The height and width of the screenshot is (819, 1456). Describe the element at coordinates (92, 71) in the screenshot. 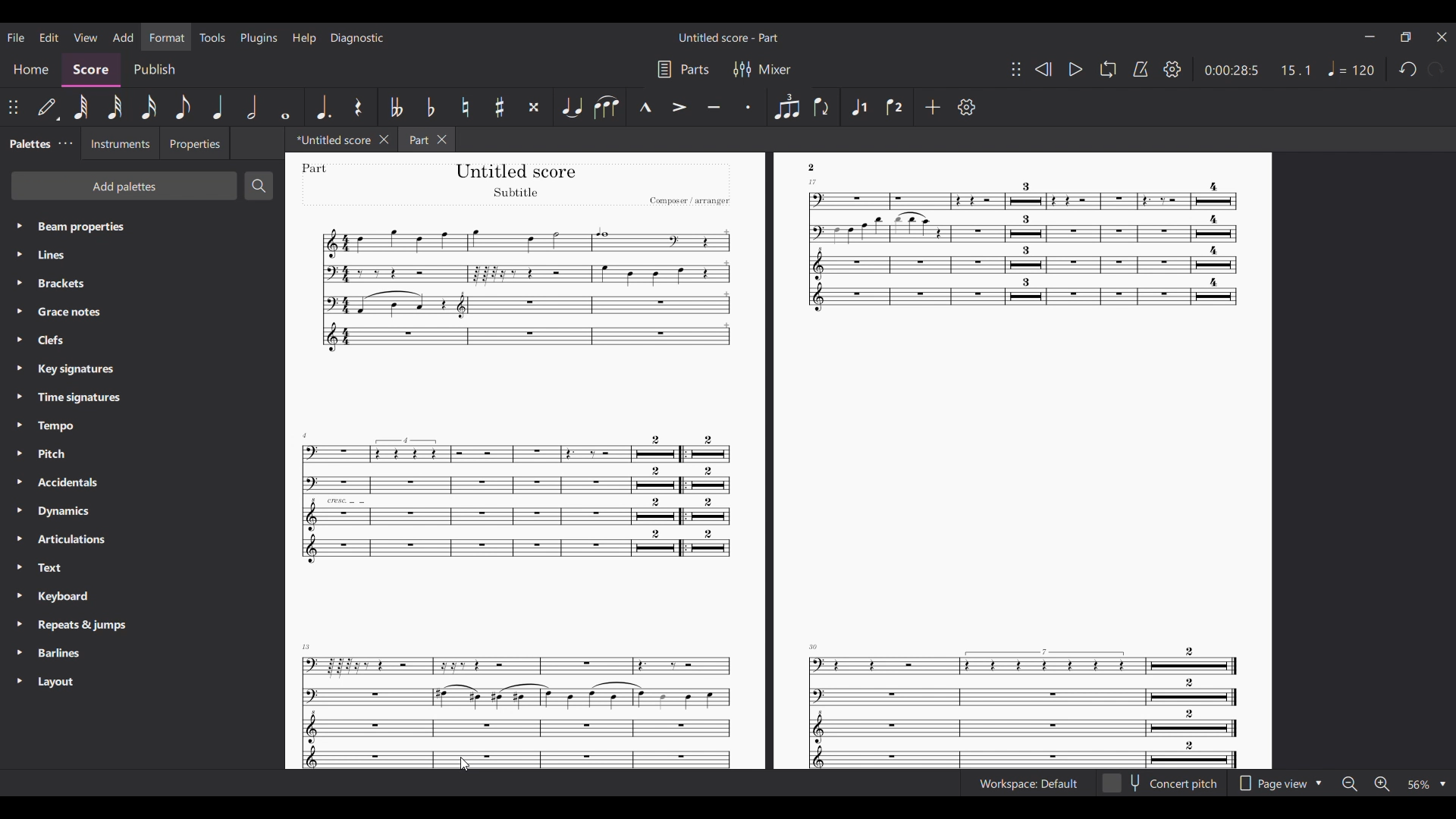

I see `Score section` at that location.